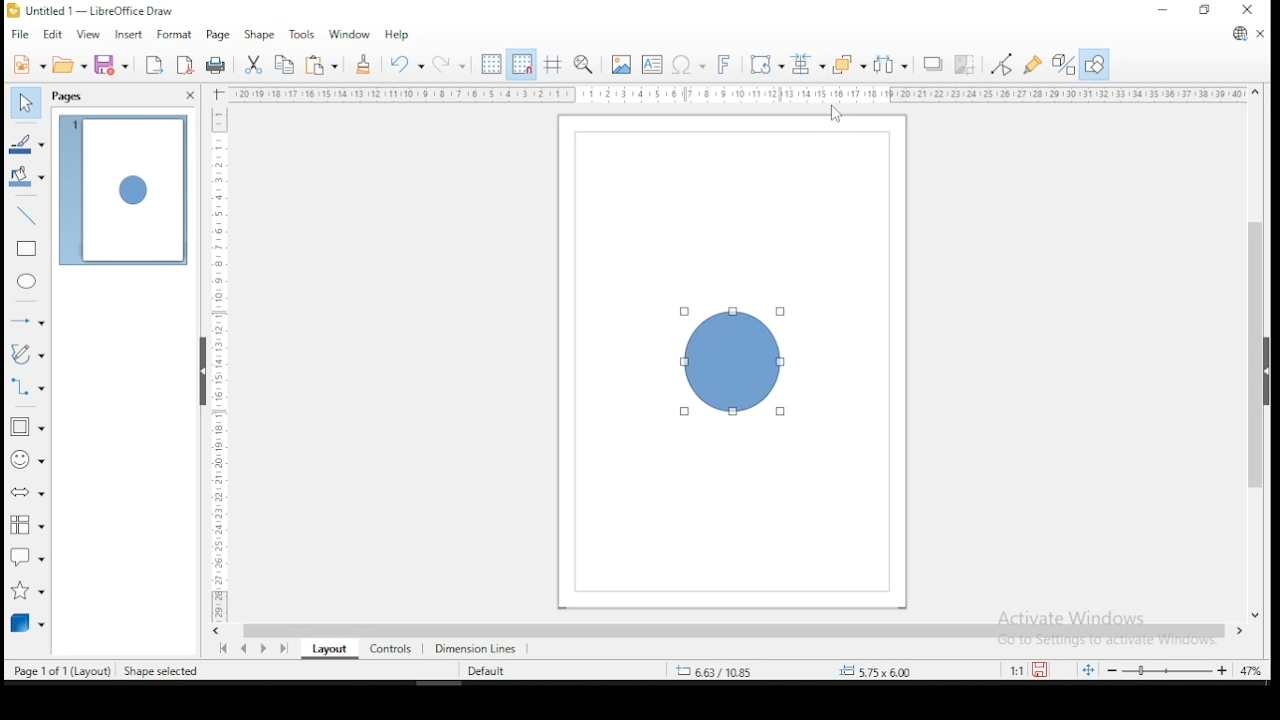 The width and height of the screenshot is (1280, 720). I want to click on copy, so click(285, 65).